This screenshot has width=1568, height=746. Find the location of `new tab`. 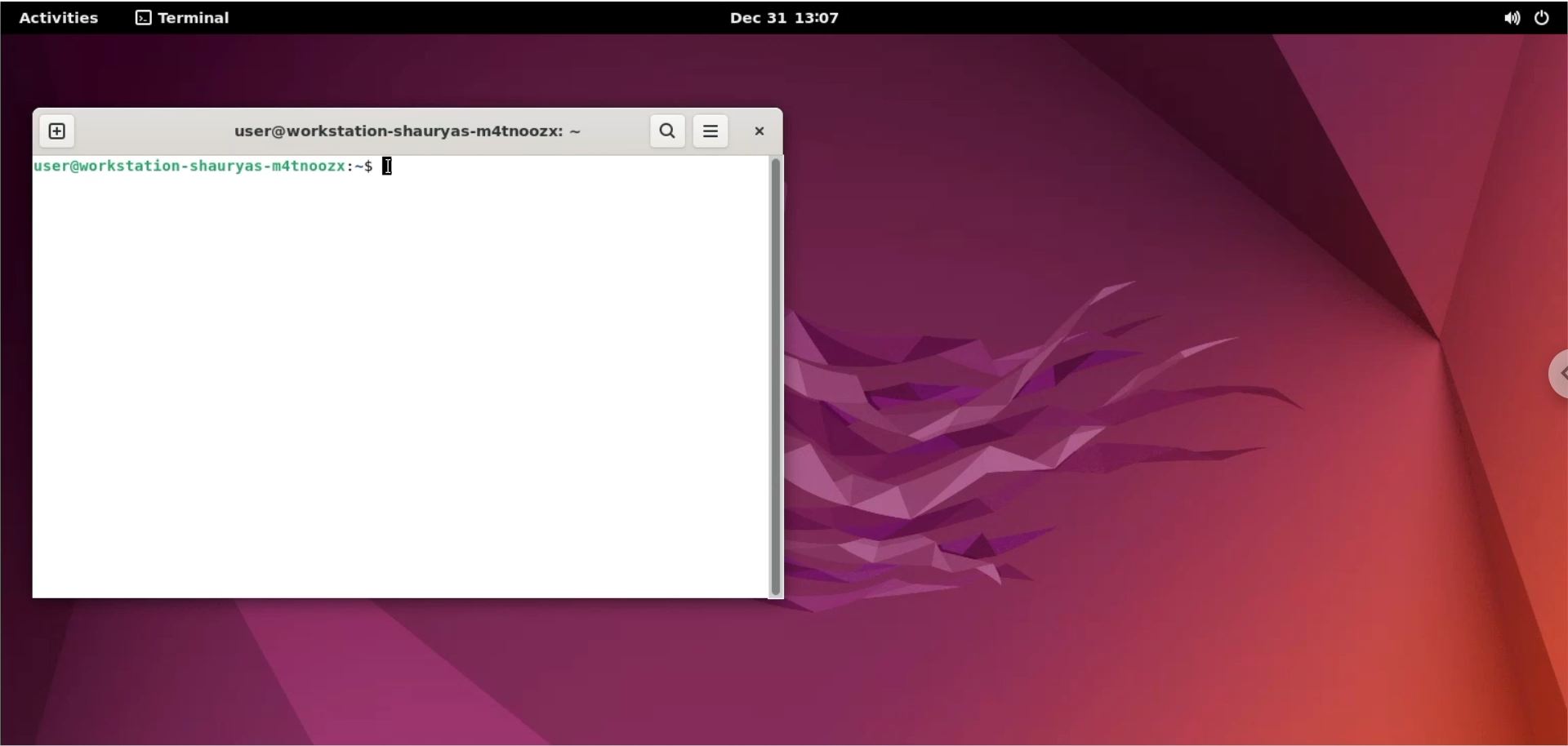

new tab is located at coordinates (63, 127).